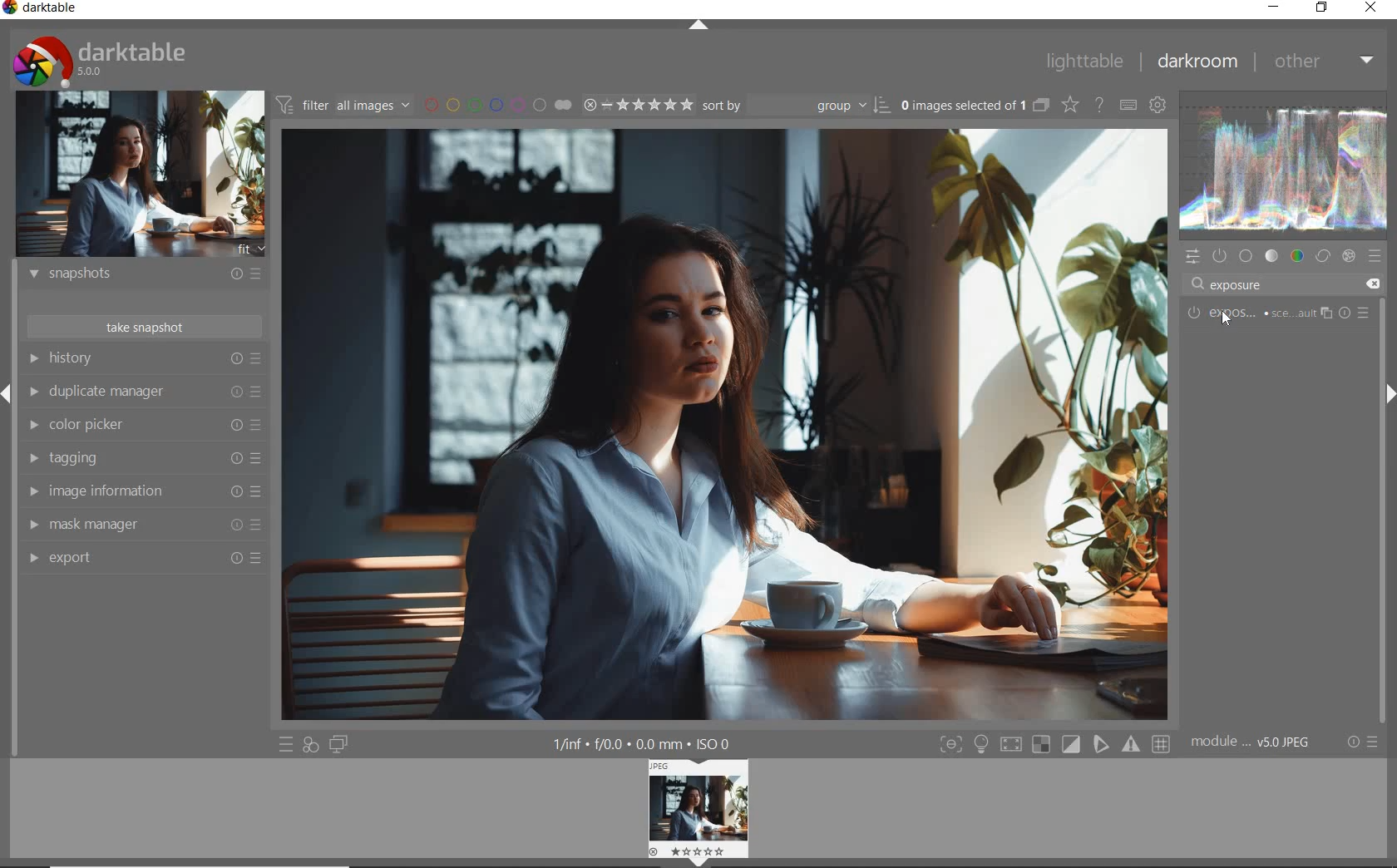 This screenshot has width=1397, height=868. What do you see at coordinates (146, 459) in the screenshot?
I see `tagging` at bounding box center [146, 459].